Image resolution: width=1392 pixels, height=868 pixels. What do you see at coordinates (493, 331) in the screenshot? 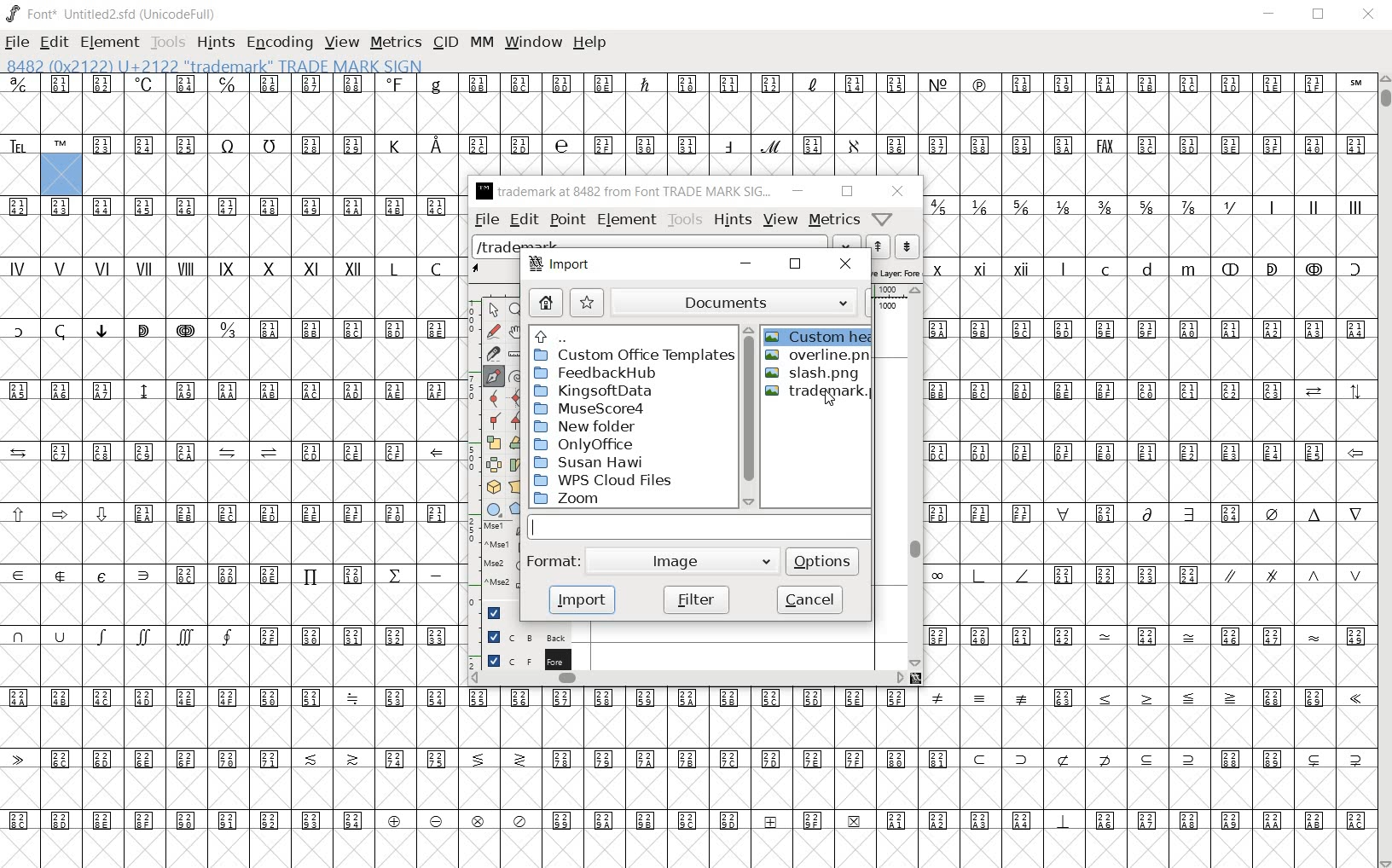
I see `draw a freehand curve` at bounding box center [493, 331].